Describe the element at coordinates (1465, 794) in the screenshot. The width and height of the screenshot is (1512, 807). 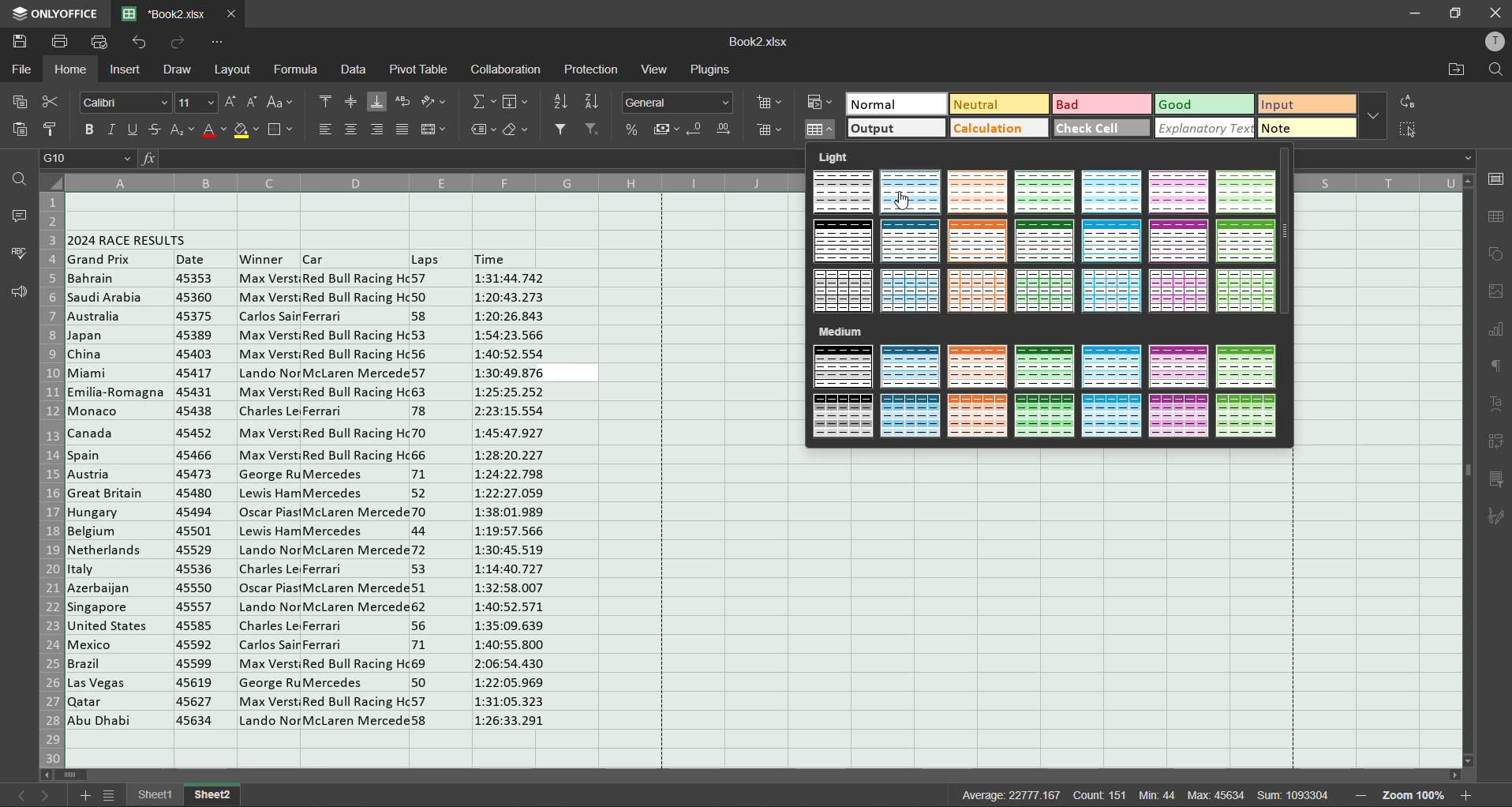
I see `zoom in` at that location.